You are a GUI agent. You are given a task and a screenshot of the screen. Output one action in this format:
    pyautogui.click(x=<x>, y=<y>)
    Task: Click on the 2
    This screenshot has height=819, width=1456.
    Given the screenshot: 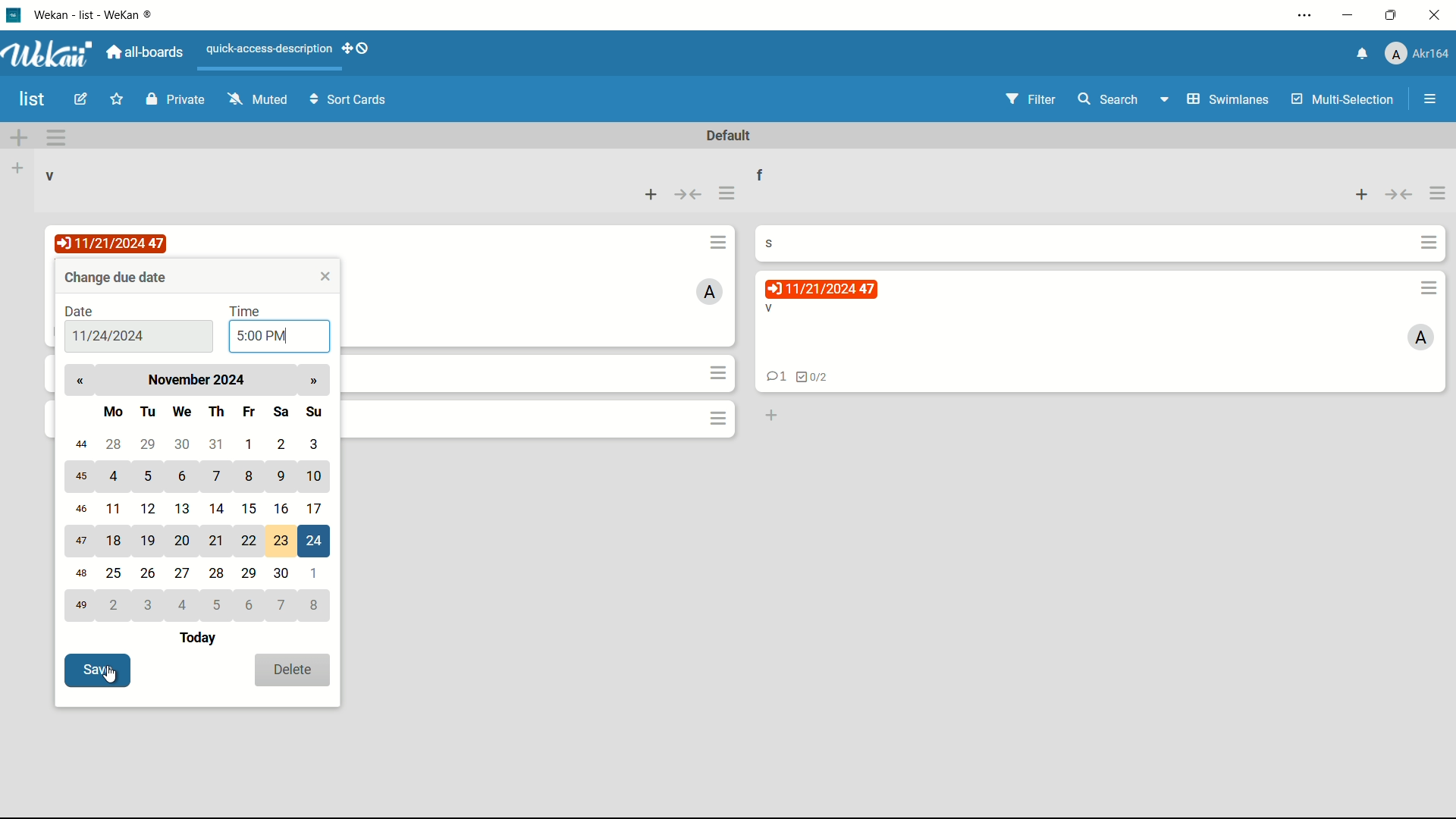 What is the action you would take?
    pyautogui.click(x=115, y=605)
    